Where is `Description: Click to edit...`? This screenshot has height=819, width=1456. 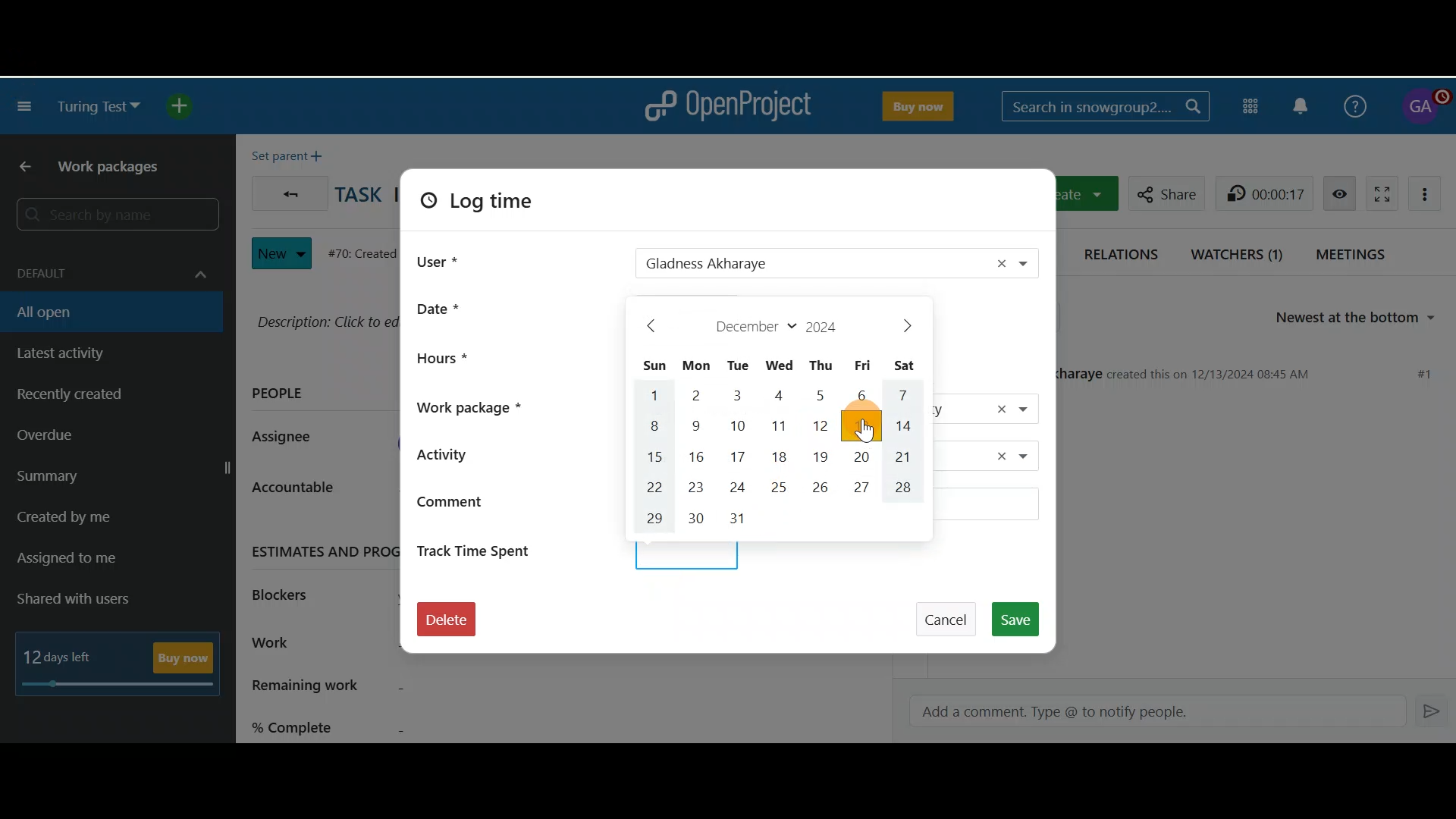 Description: Click to edit... is located at coordinates (324, 320).